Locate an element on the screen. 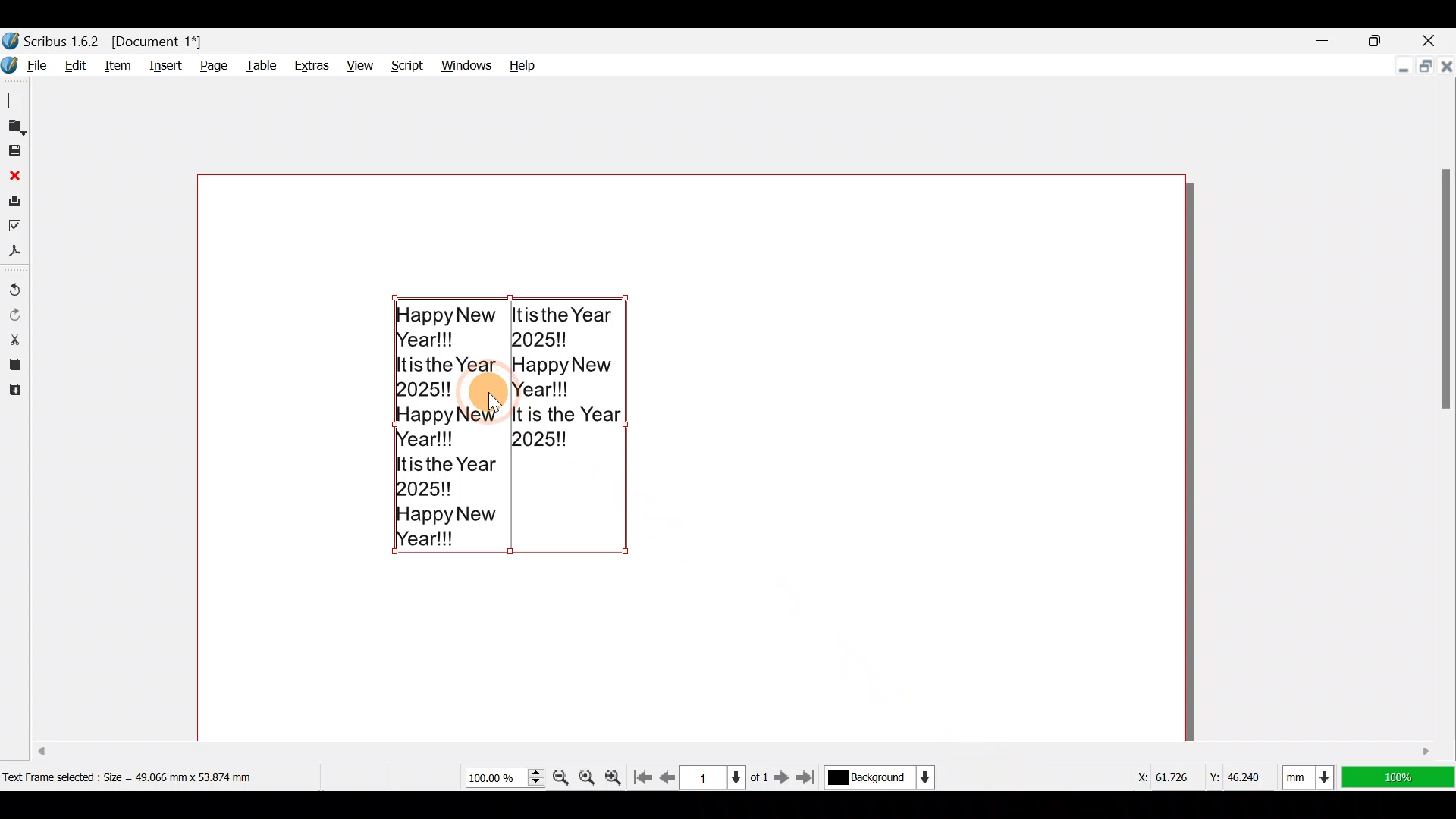 The height and width of the screenshot is (819, 1456). Y-axis dimension values is located at coordinates (1243, 771).